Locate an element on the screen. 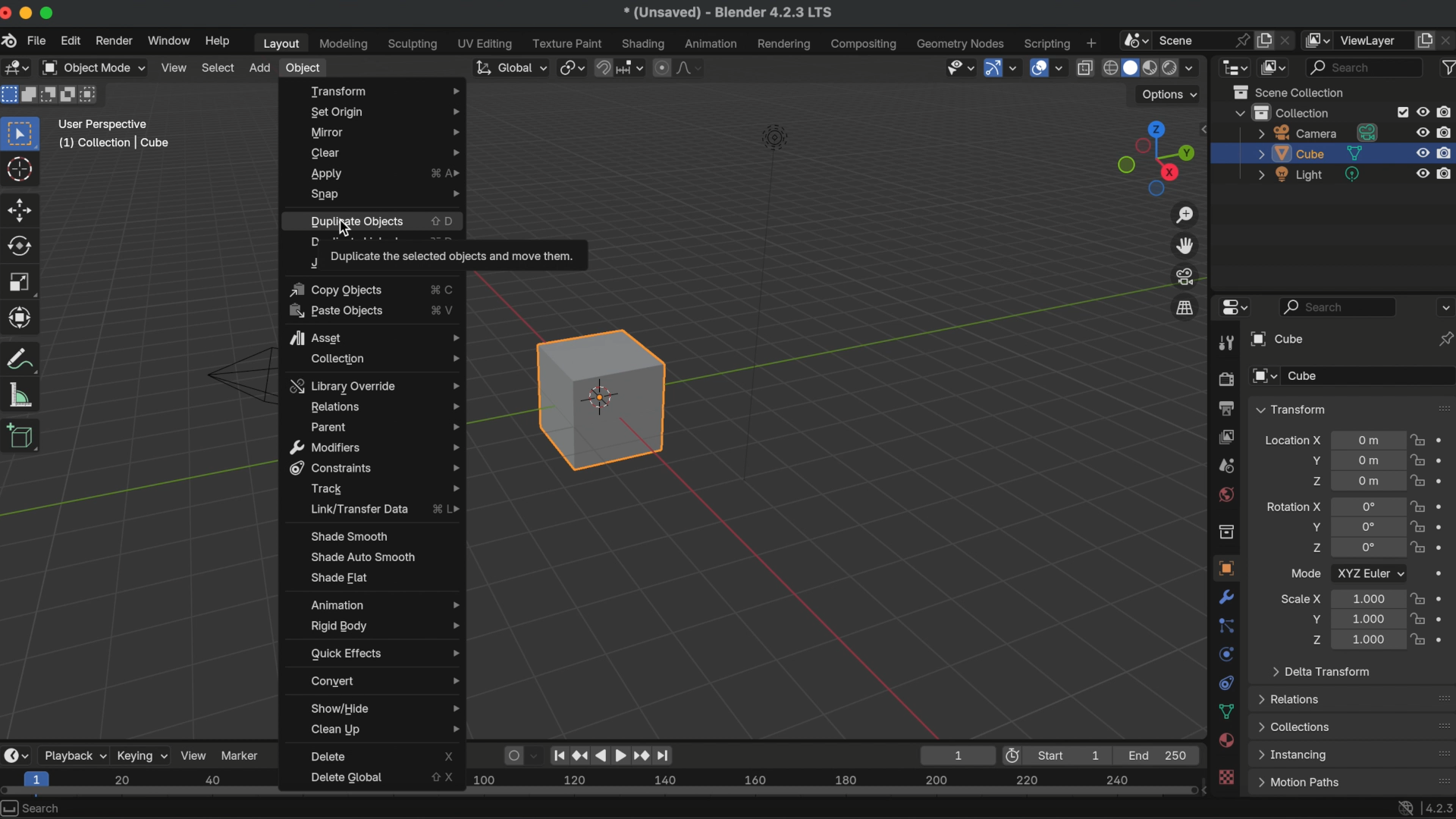 The height and width of the screenshot is (819, 1456). help is located at coordinates (217, 41).